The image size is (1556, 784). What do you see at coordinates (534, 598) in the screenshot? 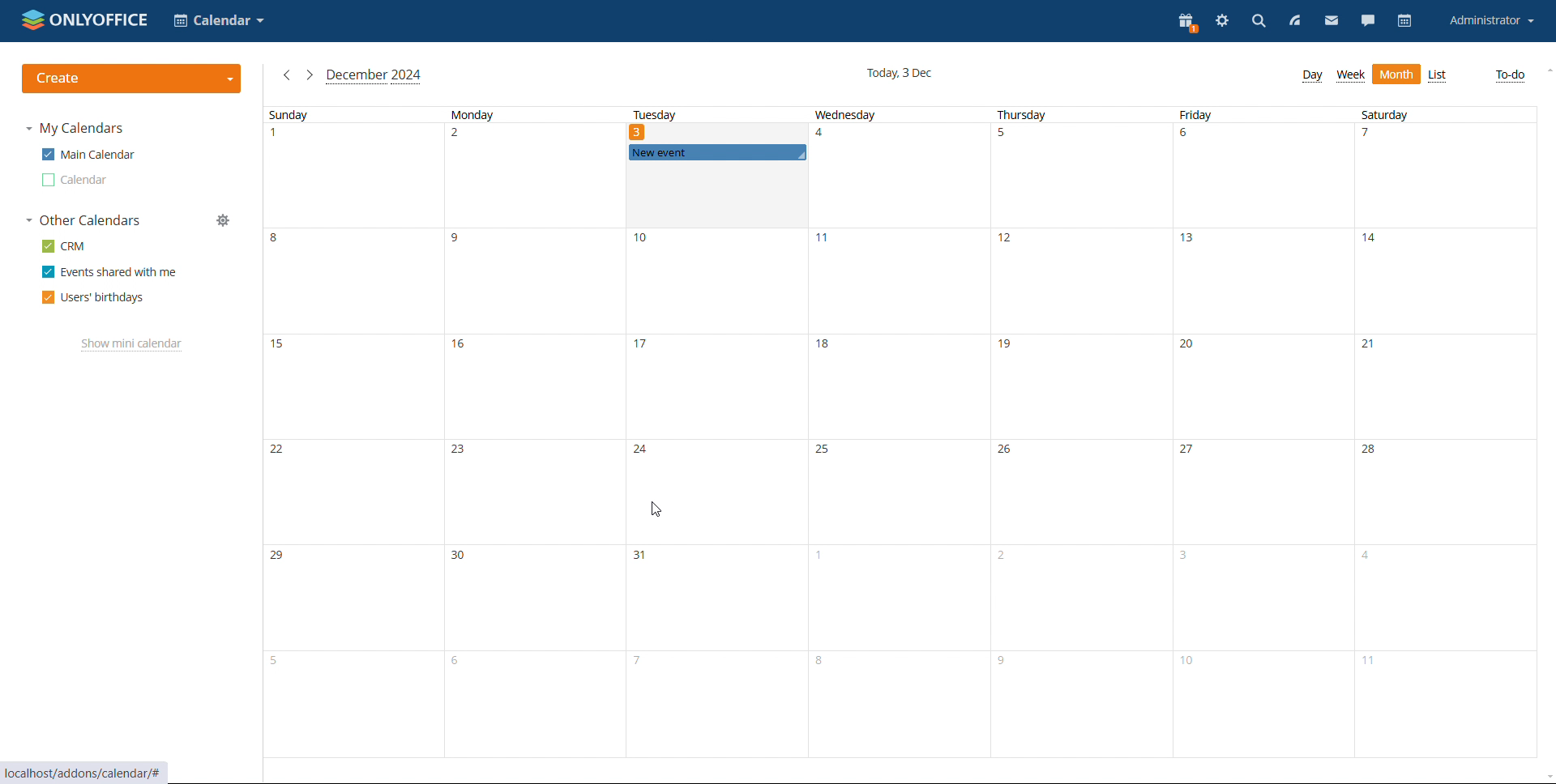
I see `date` at bounding box center [534, 598].